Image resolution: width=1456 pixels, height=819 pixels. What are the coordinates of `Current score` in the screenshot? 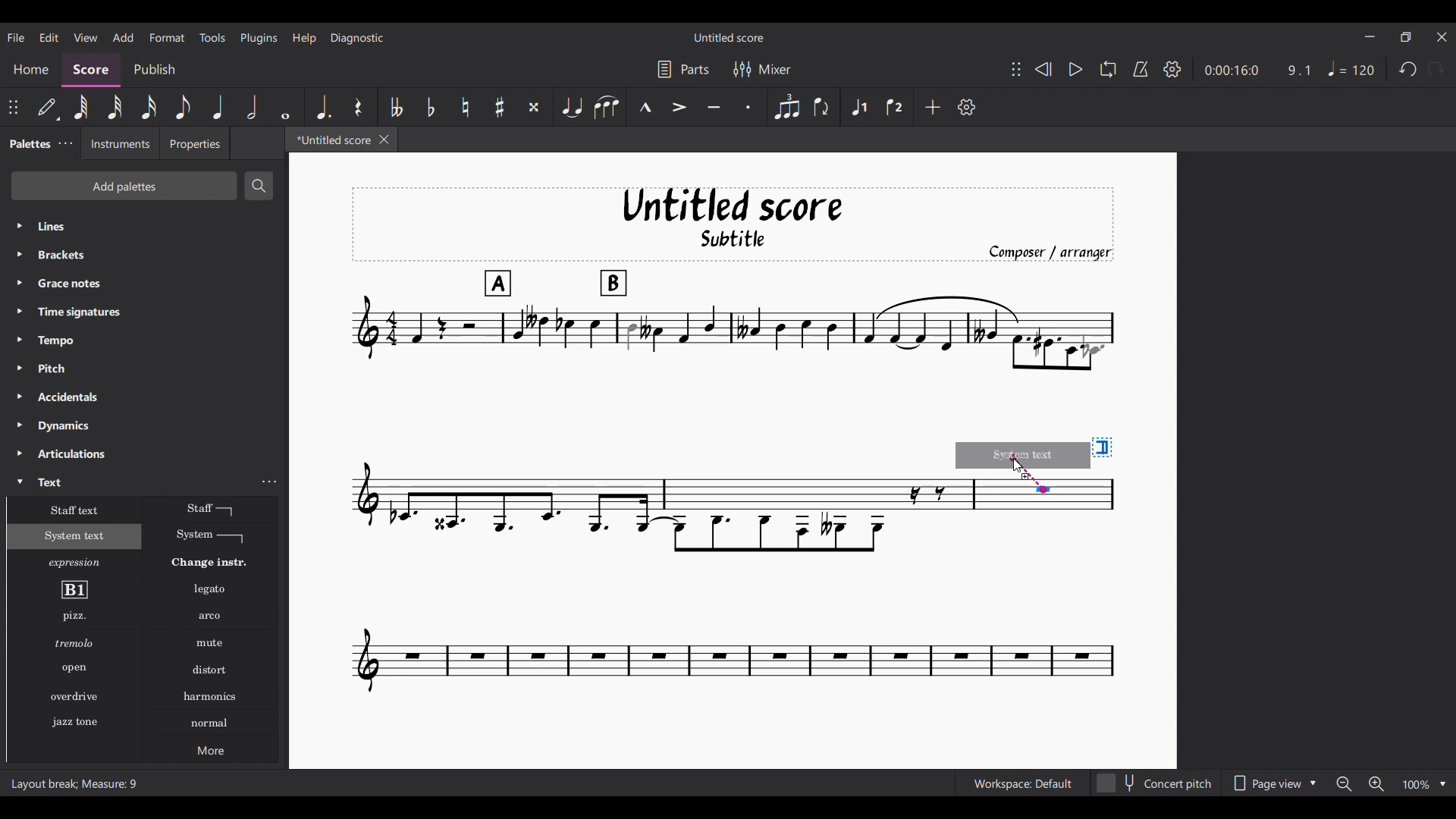 It's located at (1037, 314).